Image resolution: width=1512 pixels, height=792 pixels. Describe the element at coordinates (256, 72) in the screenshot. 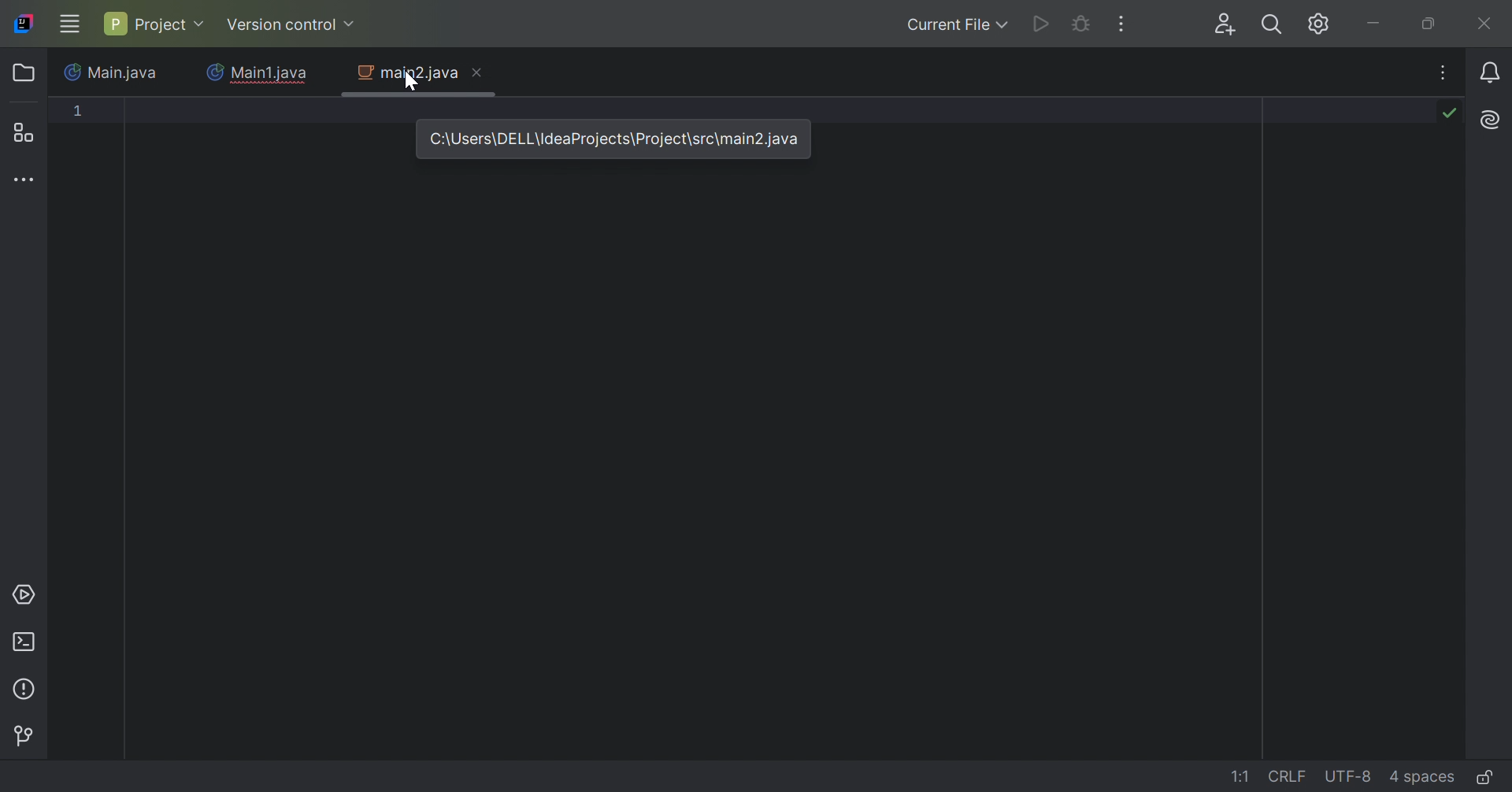

I see `Main1.java` at that location.